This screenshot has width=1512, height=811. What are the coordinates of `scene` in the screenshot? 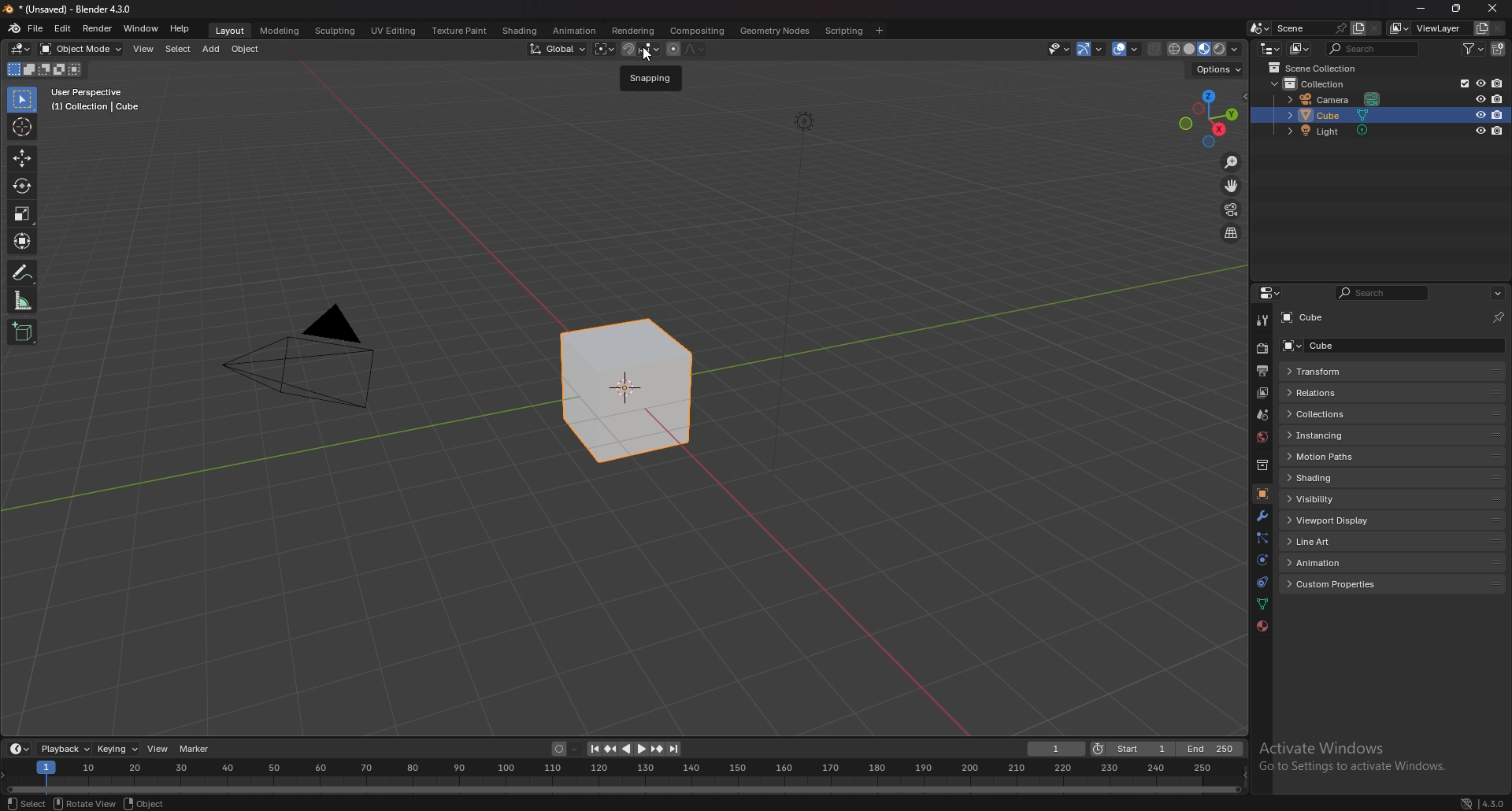 It's located at (1262, 415).